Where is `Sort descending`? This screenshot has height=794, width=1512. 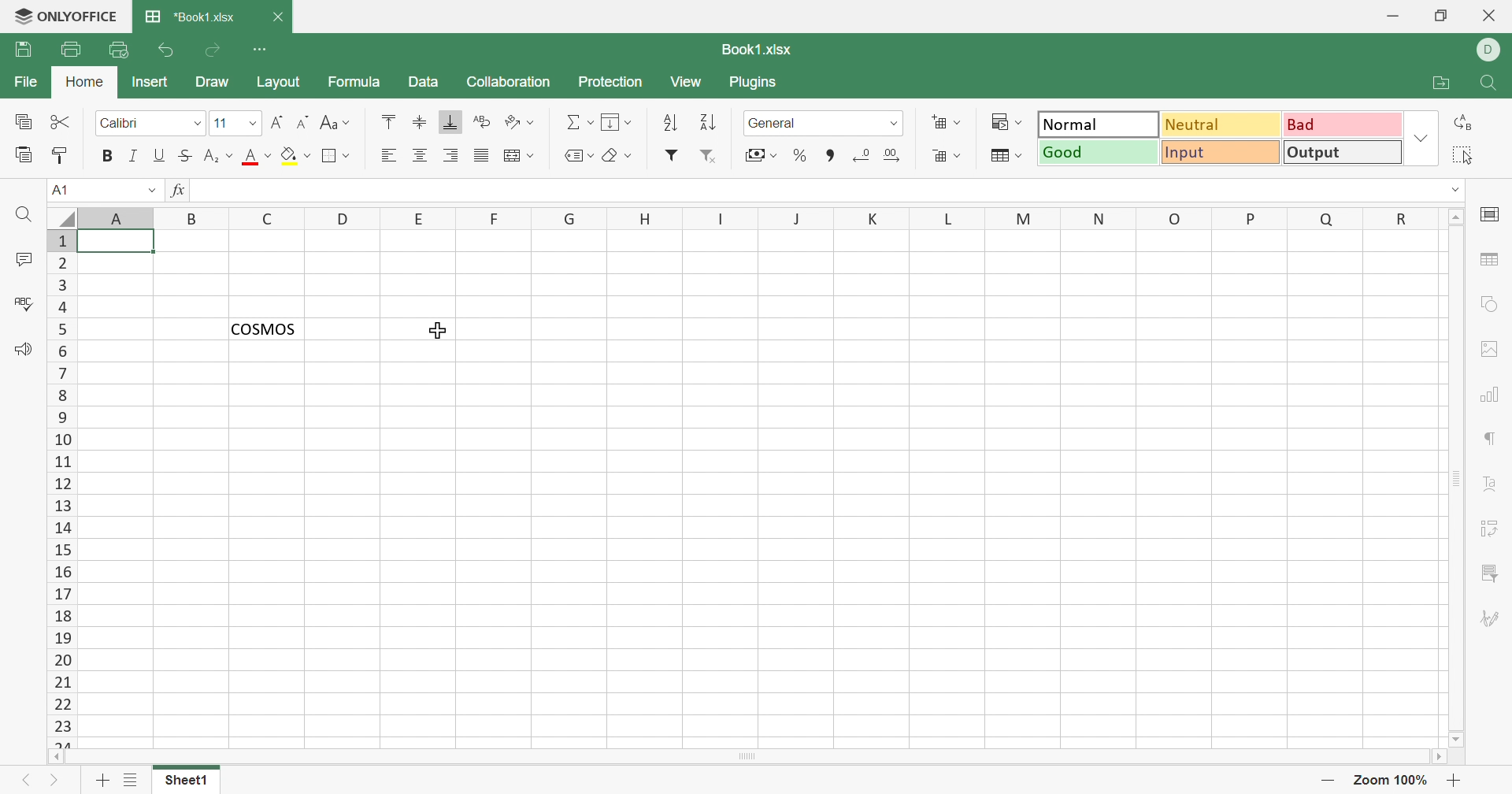 Sort descending is located at coordinates (712, 123).